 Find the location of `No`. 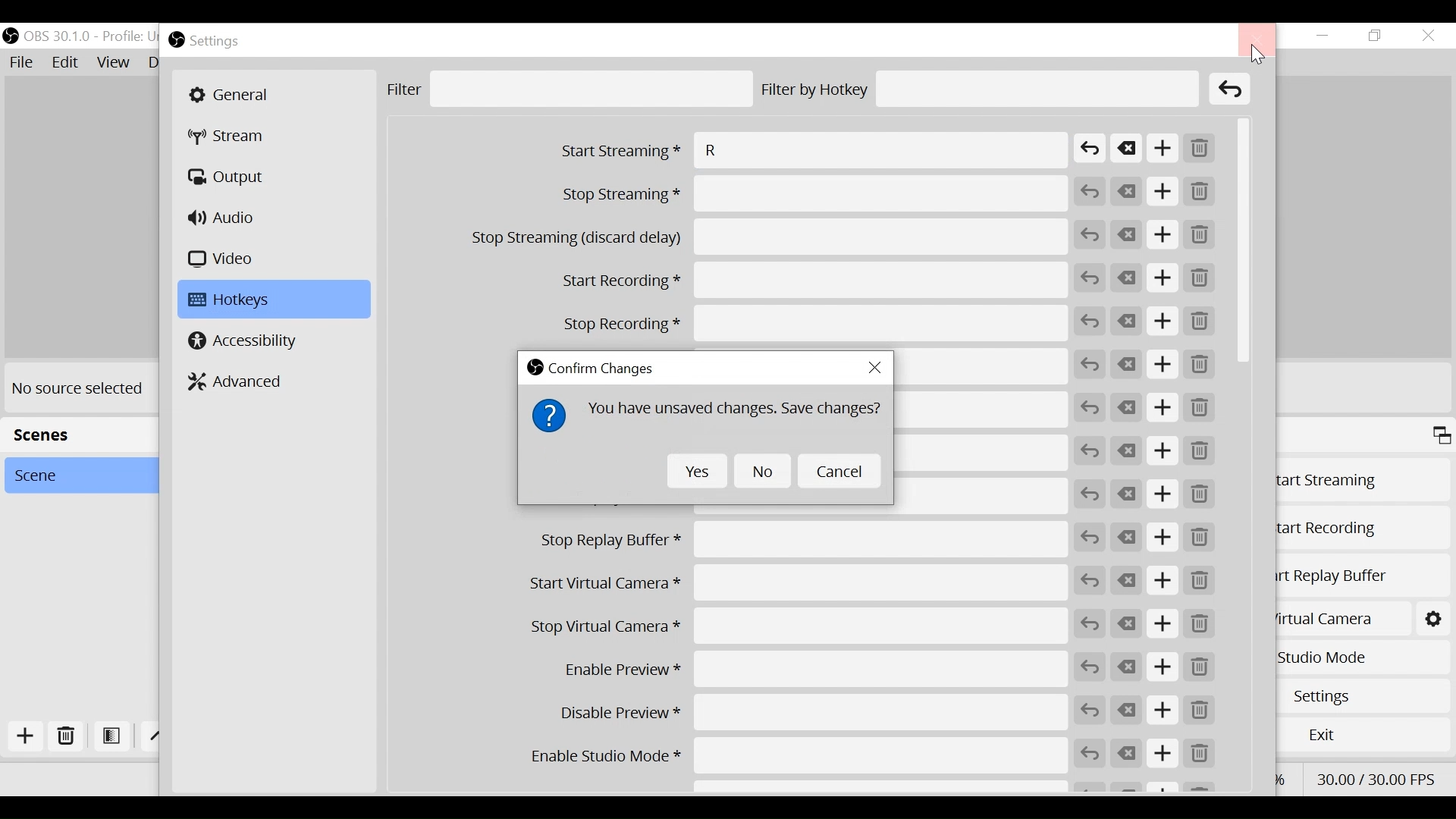

No is located at coordinates (761, 471).